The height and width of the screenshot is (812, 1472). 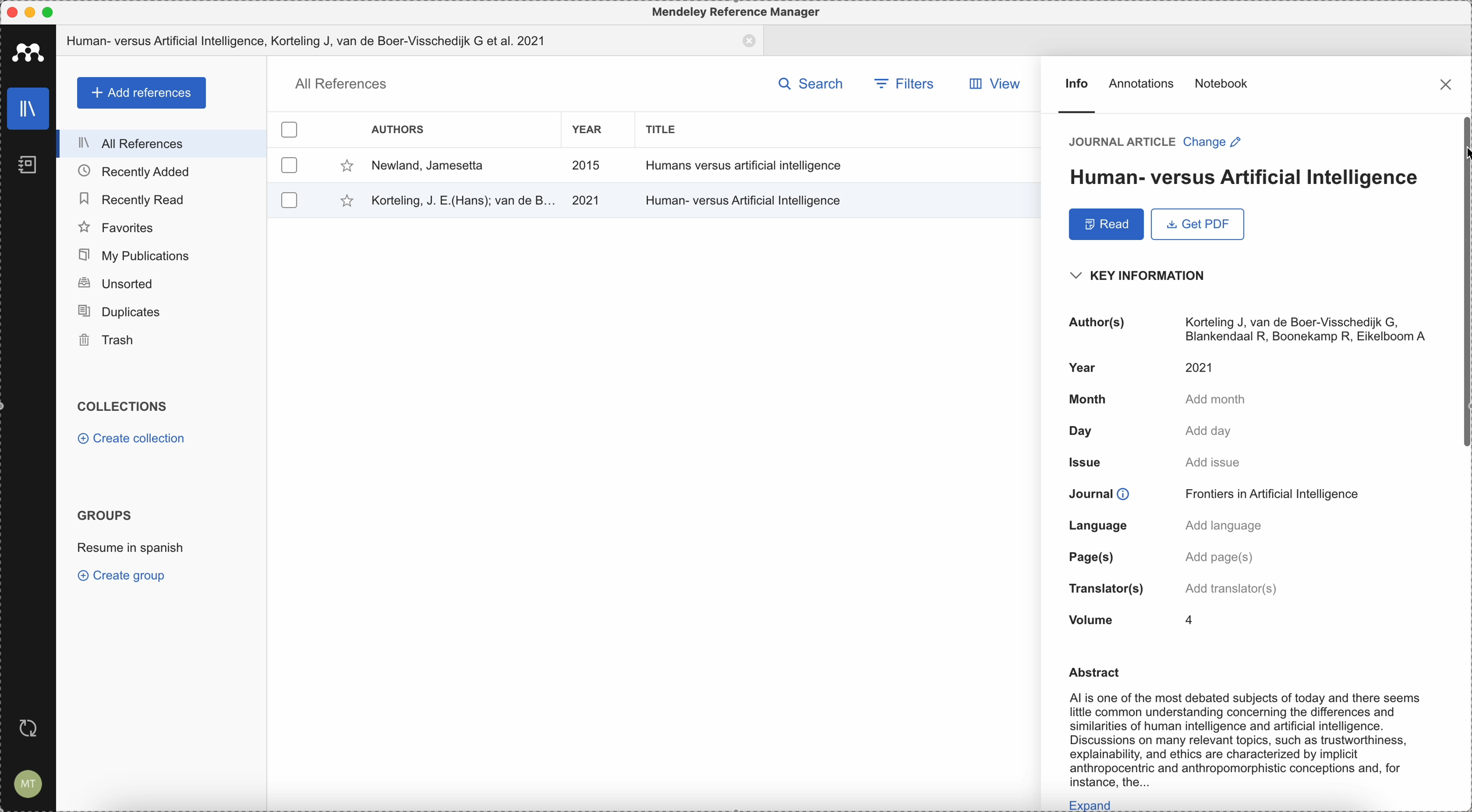 I want to click on info, so click(x=1075, y=95).